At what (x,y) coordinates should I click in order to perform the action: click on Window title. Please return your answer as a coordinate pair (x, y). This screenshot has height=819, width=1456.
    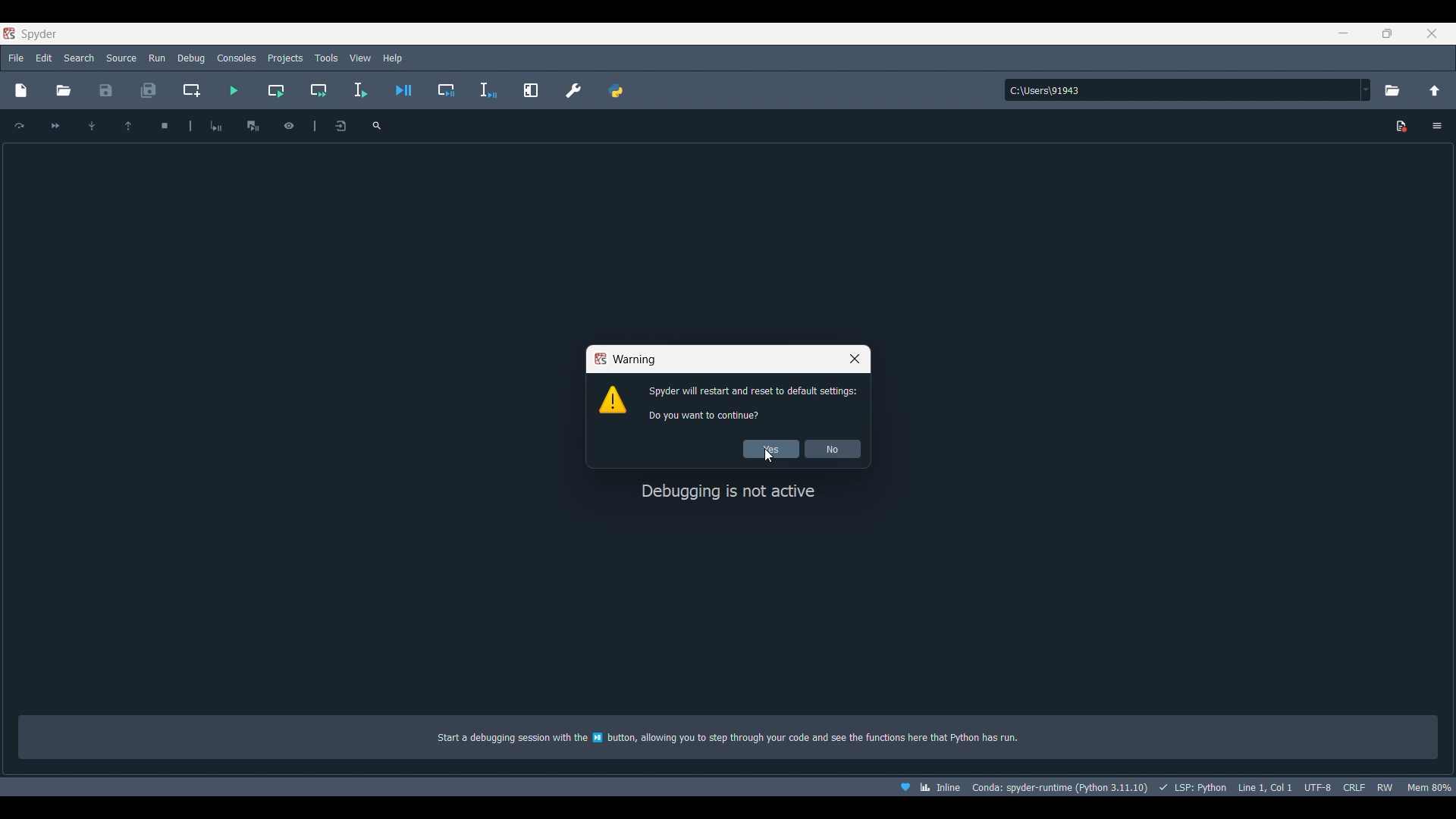
    Looking at the image, I should click on (624, 359).